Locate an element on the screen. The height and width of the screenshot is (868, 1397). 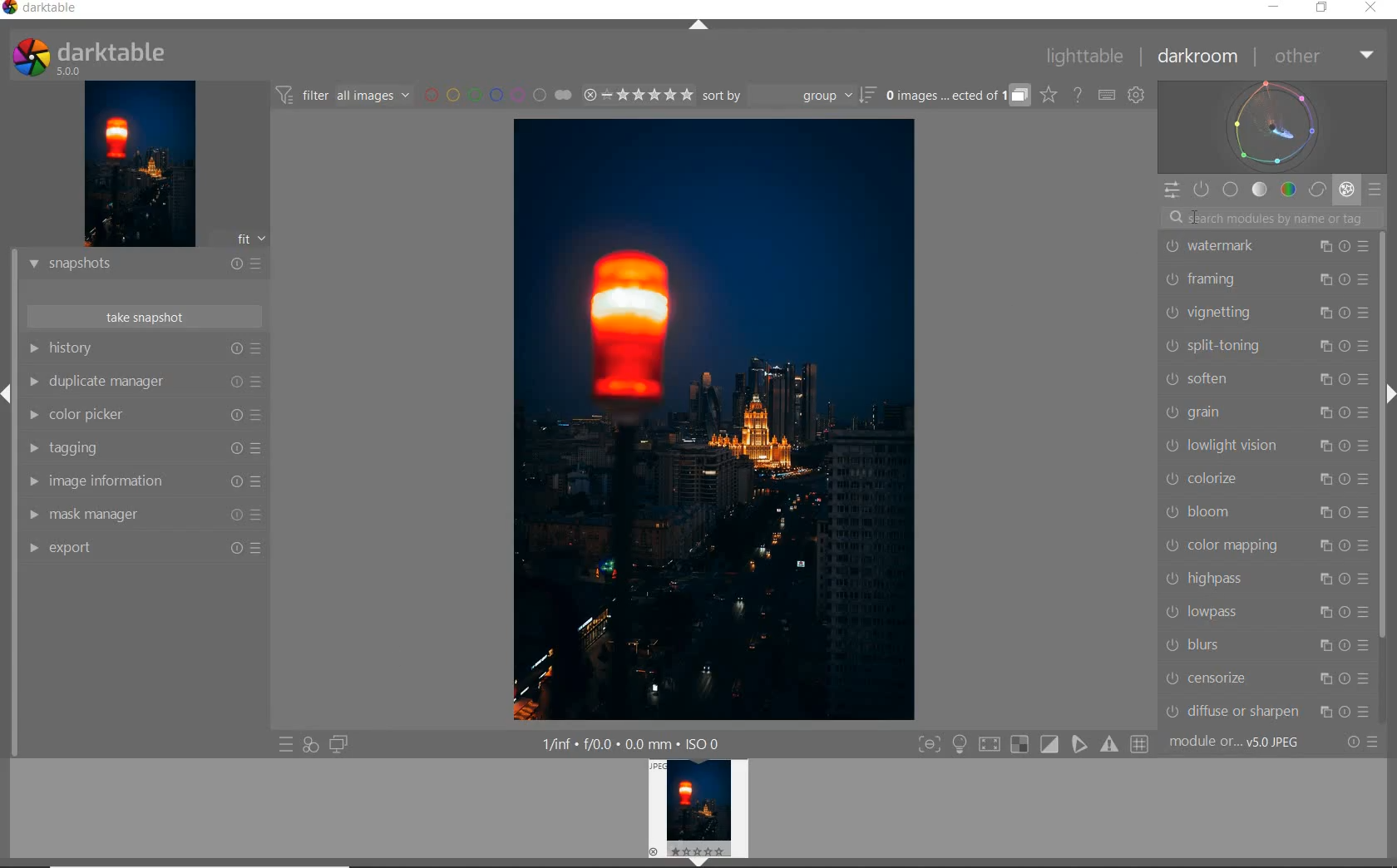
Preset and reset is located at coordinates (1364, 247).